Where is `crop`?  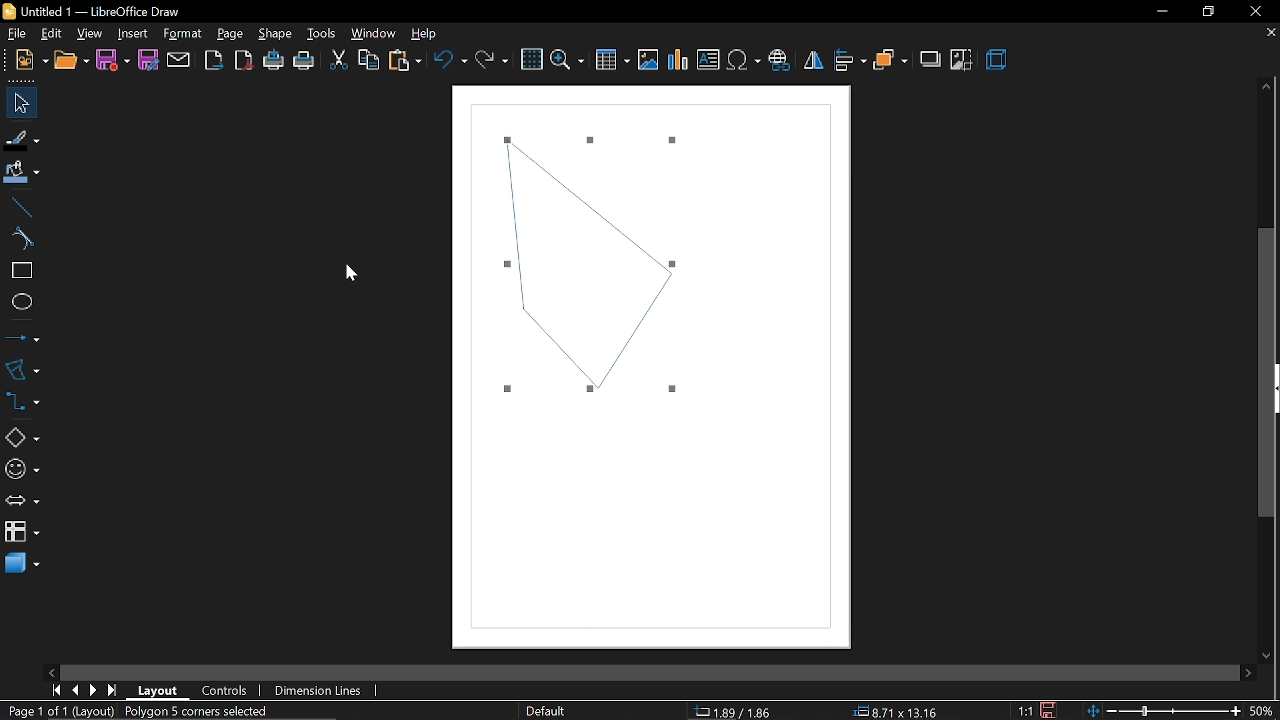
crop is located at coordinates (961, 60).